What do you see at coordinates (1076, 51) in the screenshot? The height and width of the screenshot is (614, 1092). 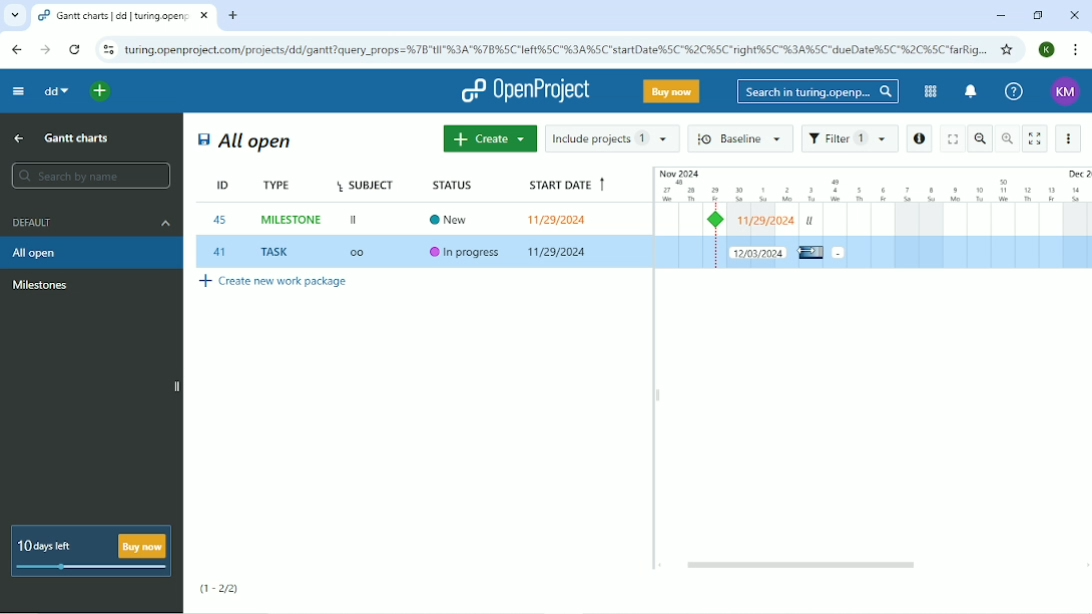 I see `Customize and control google chrome` at bounding box center [1076, 51].